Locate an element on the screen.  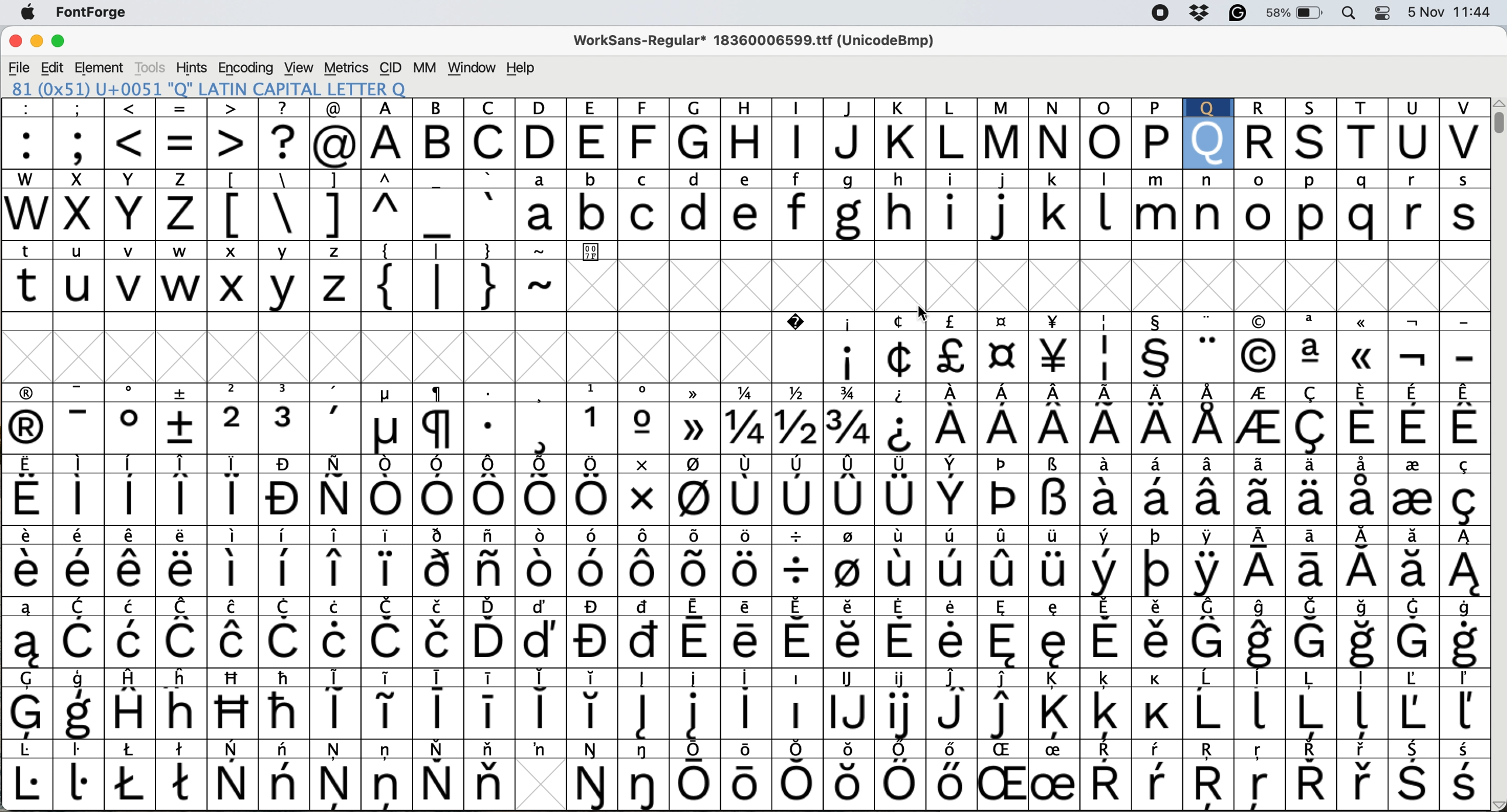
text is located at coordinates (742, 532).